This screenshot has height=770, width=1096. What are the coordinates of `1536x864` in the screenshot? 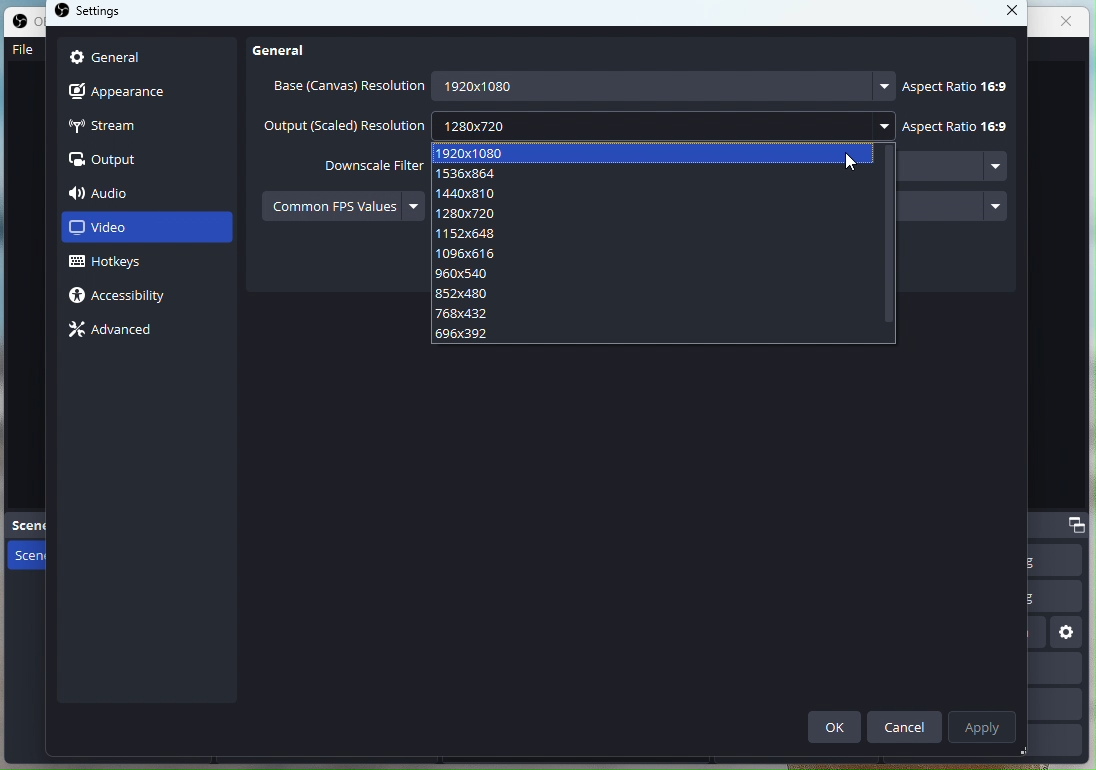 It's located at (659, 175).